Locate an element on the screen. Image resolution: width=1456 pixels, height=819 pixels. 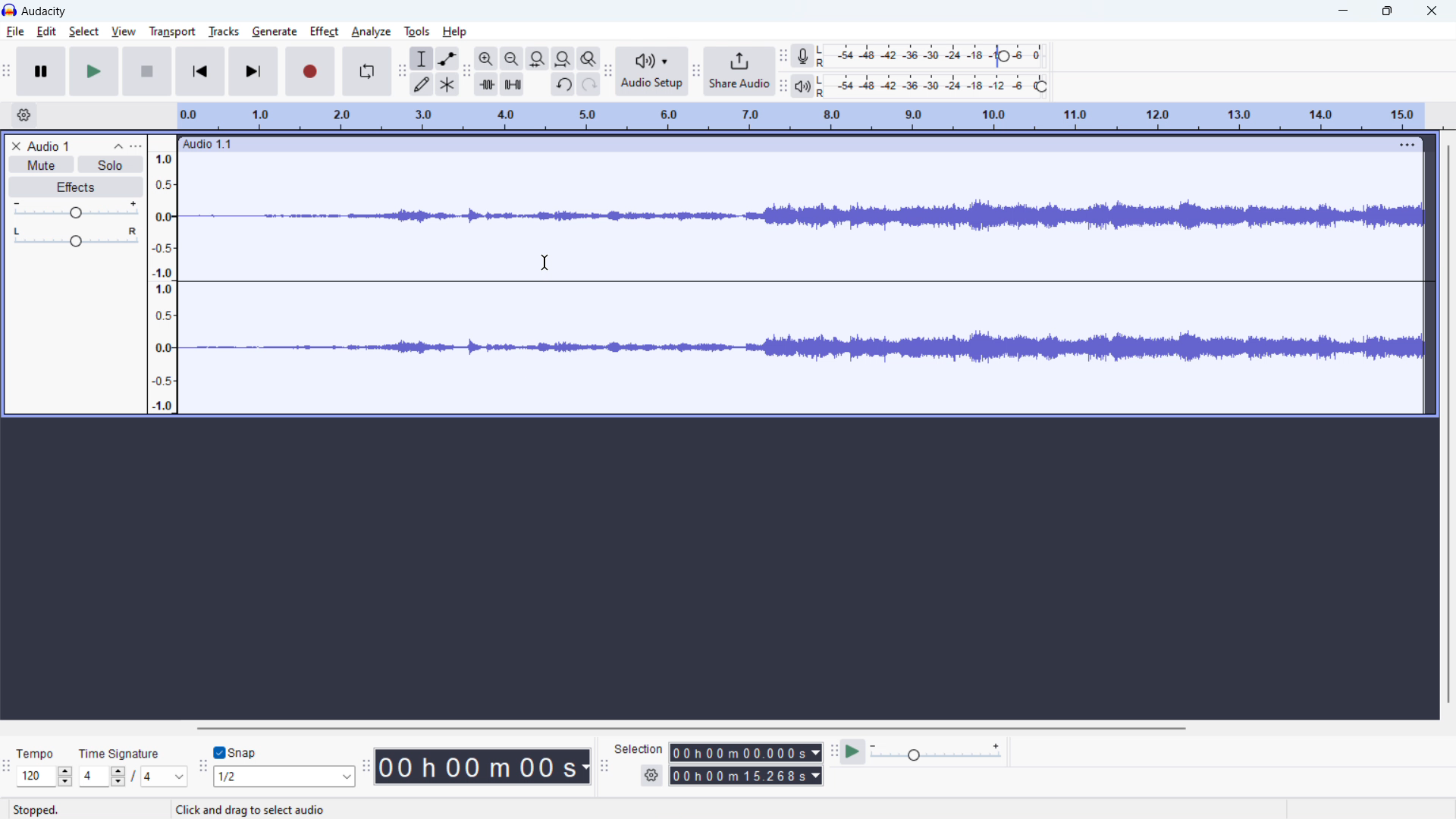
timeline is located at coordinates (801, 117).